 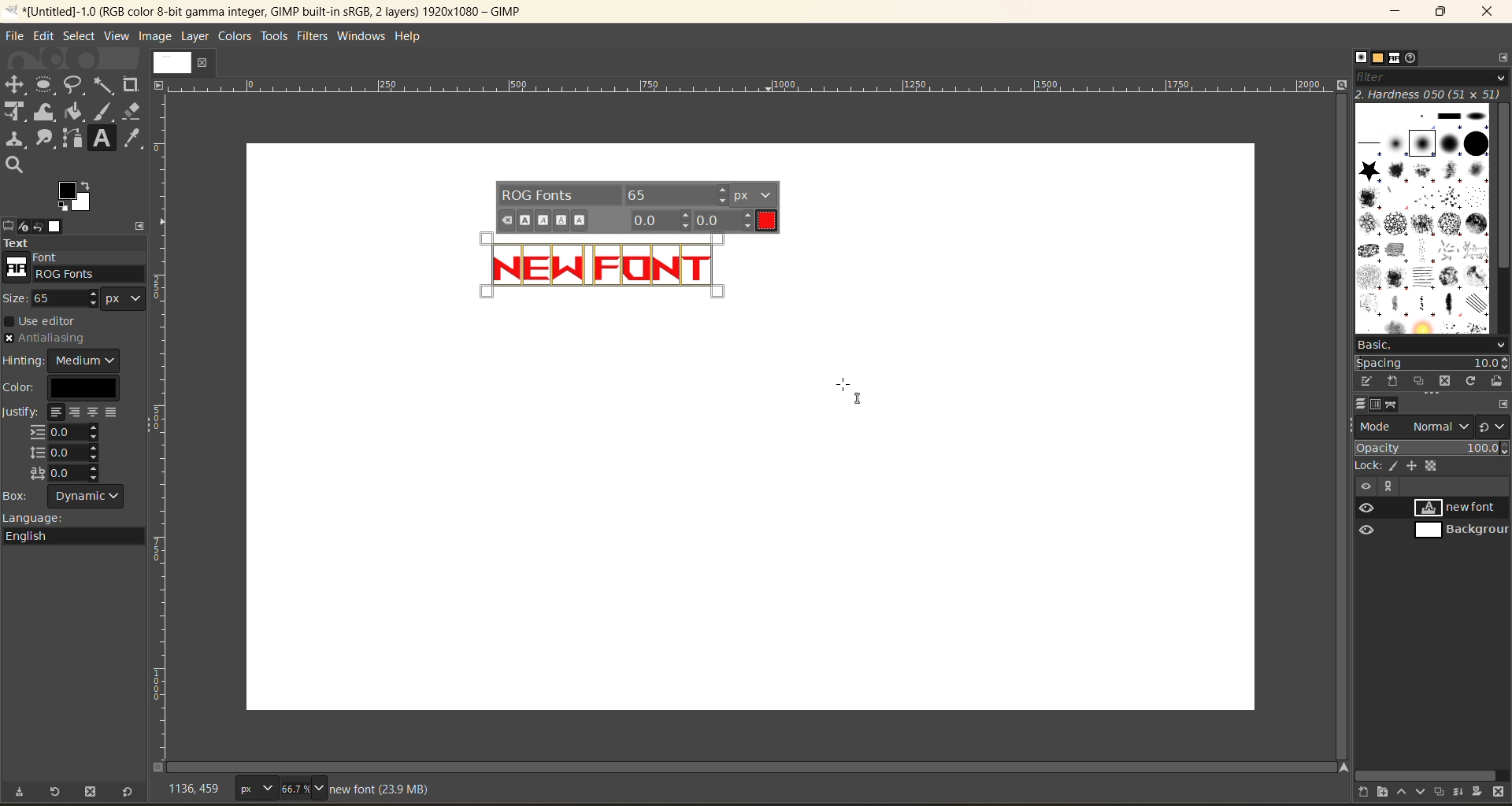 I want to click on hide, so click(x=1365, y=486).